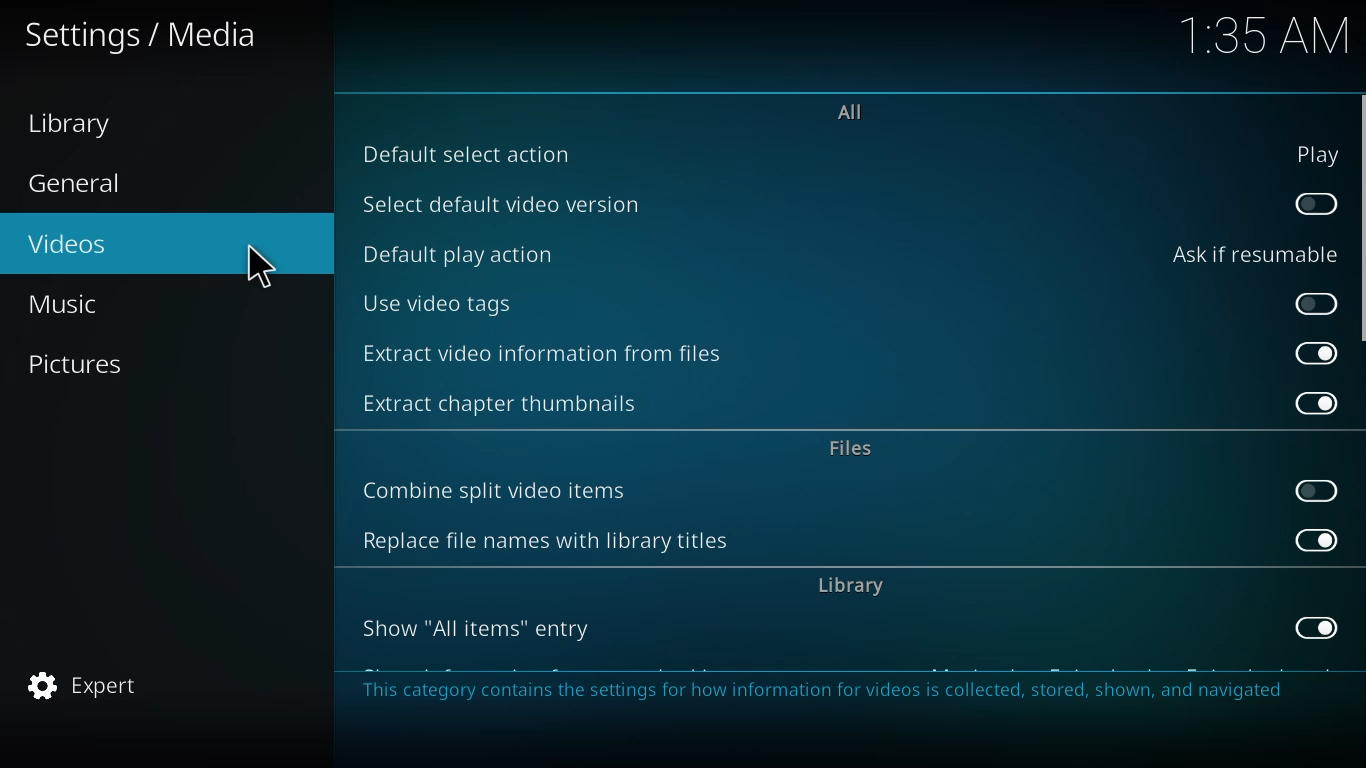 This screenshot has height=768, width=1366. What do you see at coordinates (1252, 254) in the screenshot?
I see `ask` at bounding box center [1252, 254].